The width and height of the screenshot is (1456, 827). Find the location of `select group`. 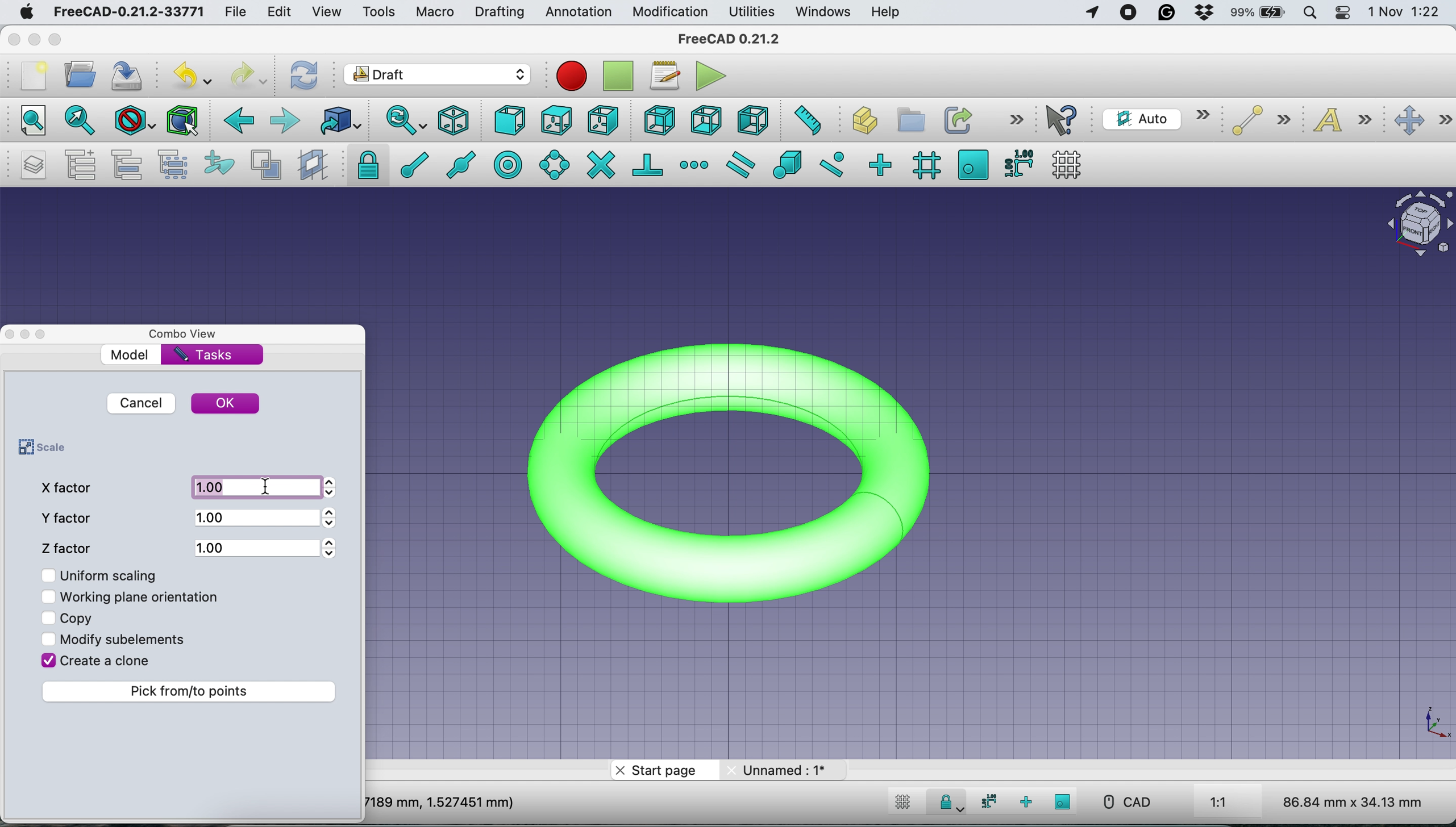

select group is located at coordinates (177, 165).